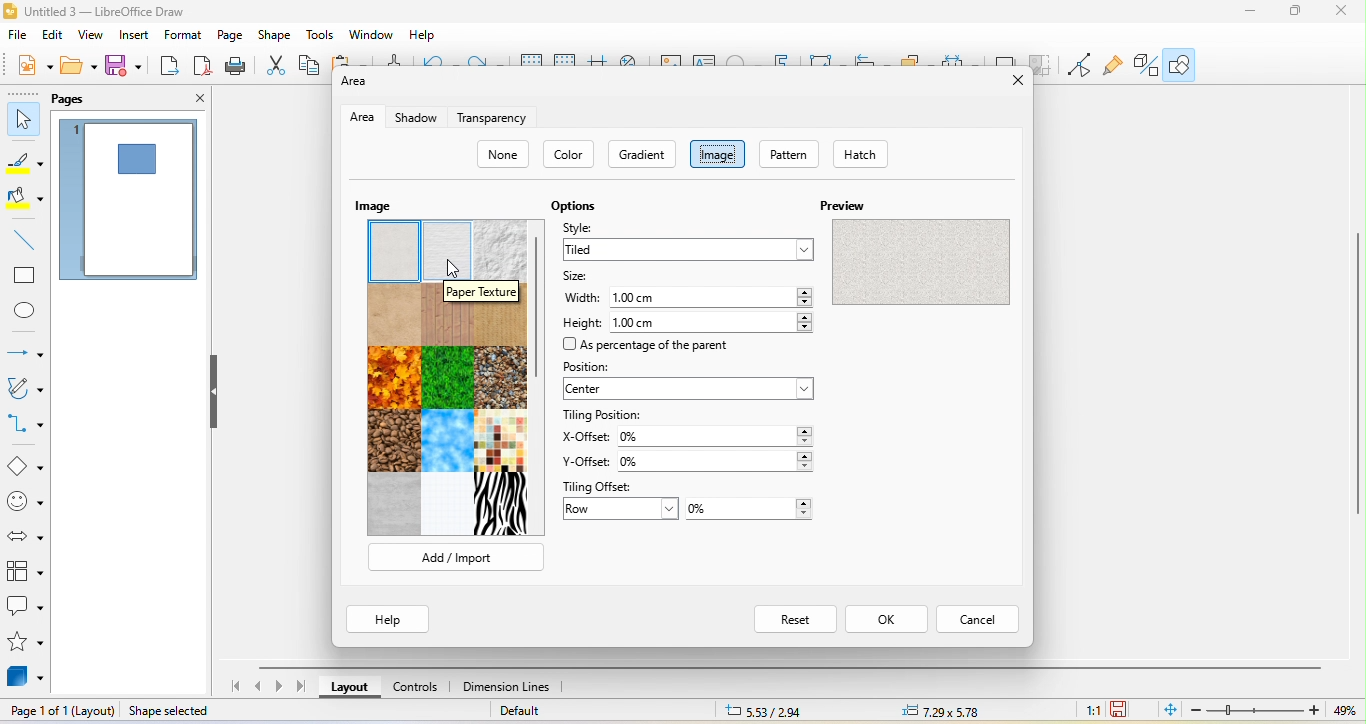  I want to click on area, so click(362, 116).